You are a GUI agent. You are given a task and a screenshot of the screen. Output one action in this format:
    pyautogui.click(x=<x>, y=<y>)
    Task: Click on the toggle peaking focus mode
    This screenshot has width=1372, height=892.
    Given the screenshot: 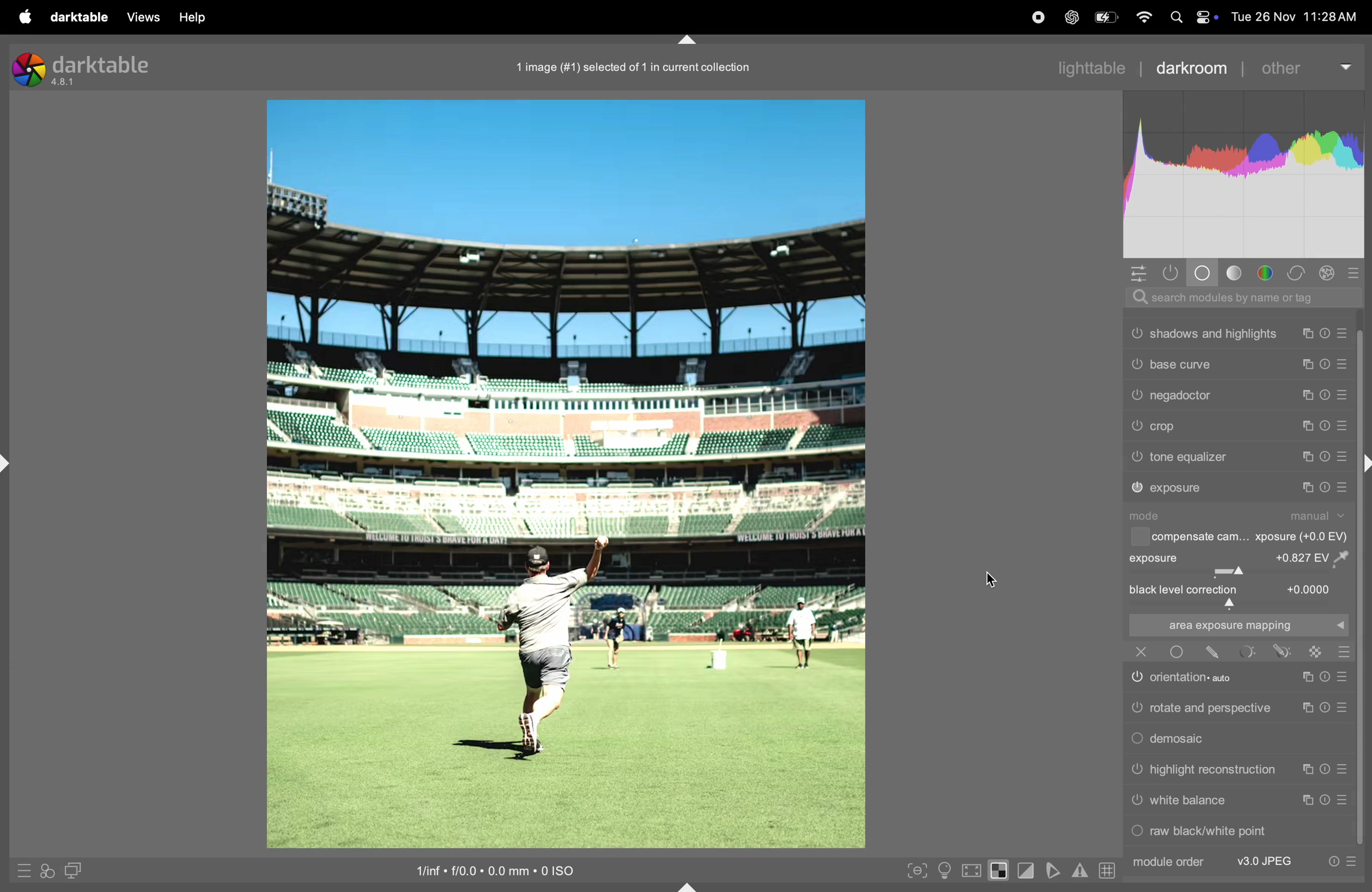 What is the action you would take?
    pyautogui.click(x=914, y=869)
    